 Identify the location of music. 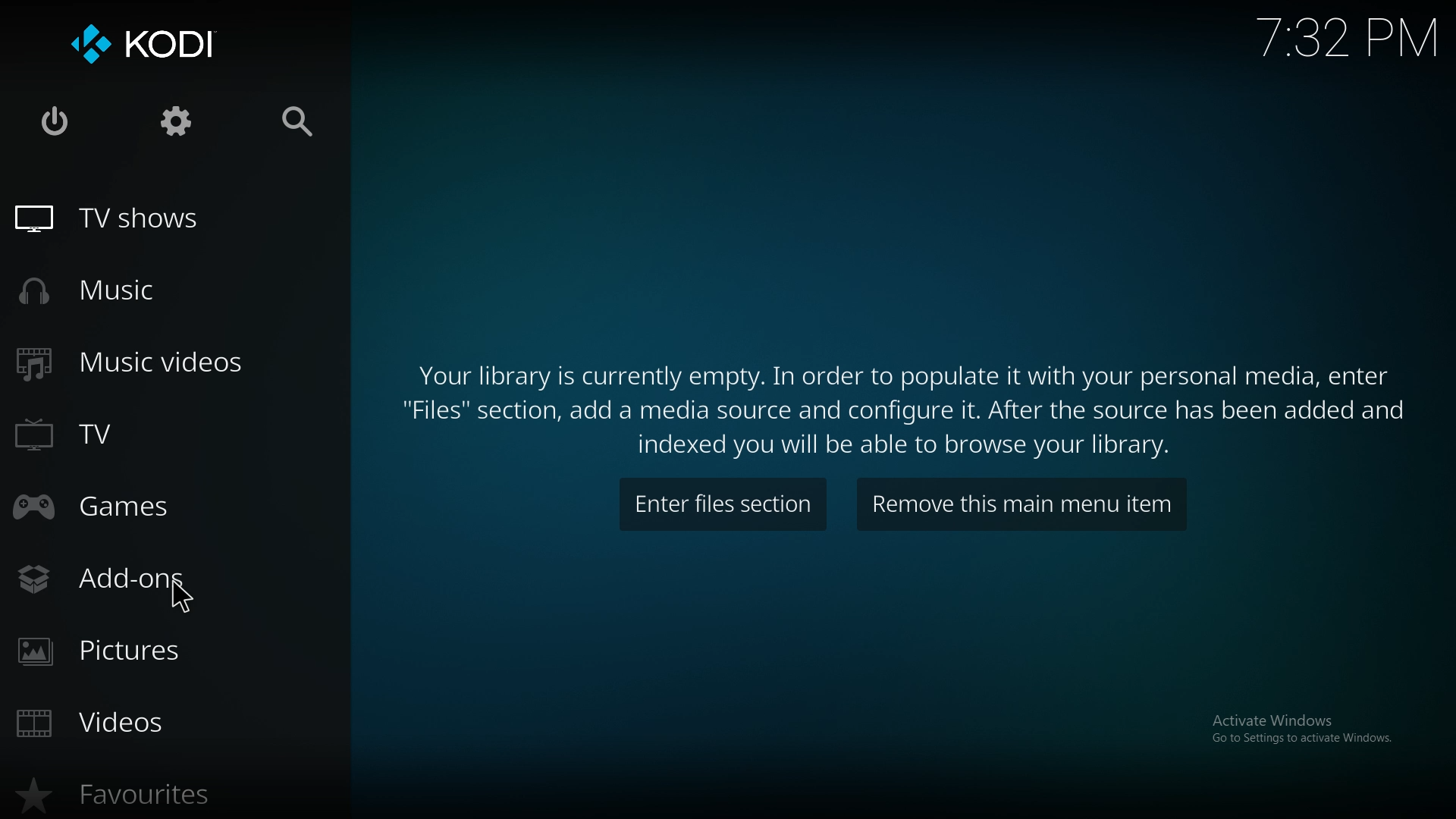
(108, 292).